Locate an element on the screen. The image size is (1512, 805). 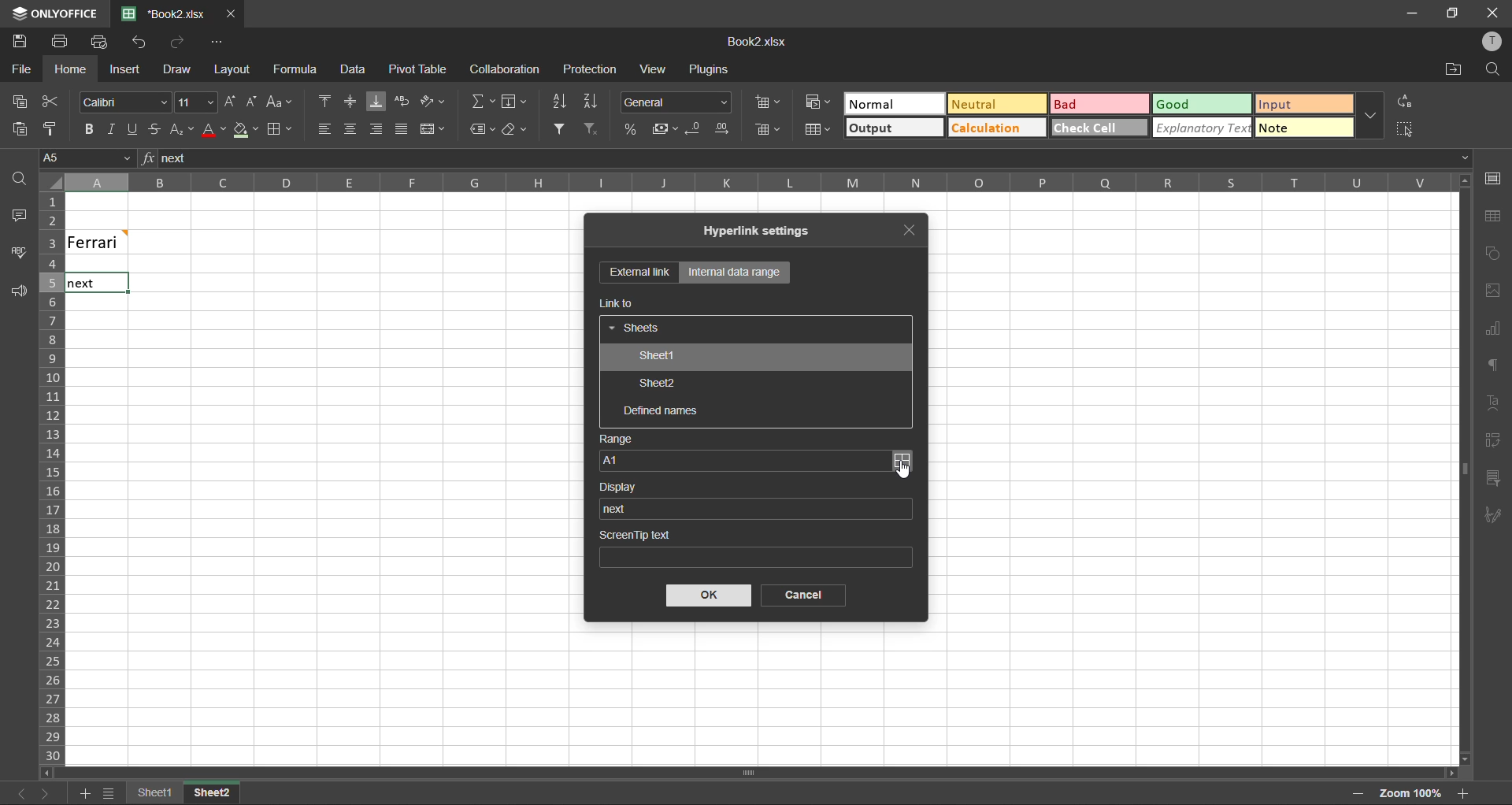
view is located at coordinates (652, 69).